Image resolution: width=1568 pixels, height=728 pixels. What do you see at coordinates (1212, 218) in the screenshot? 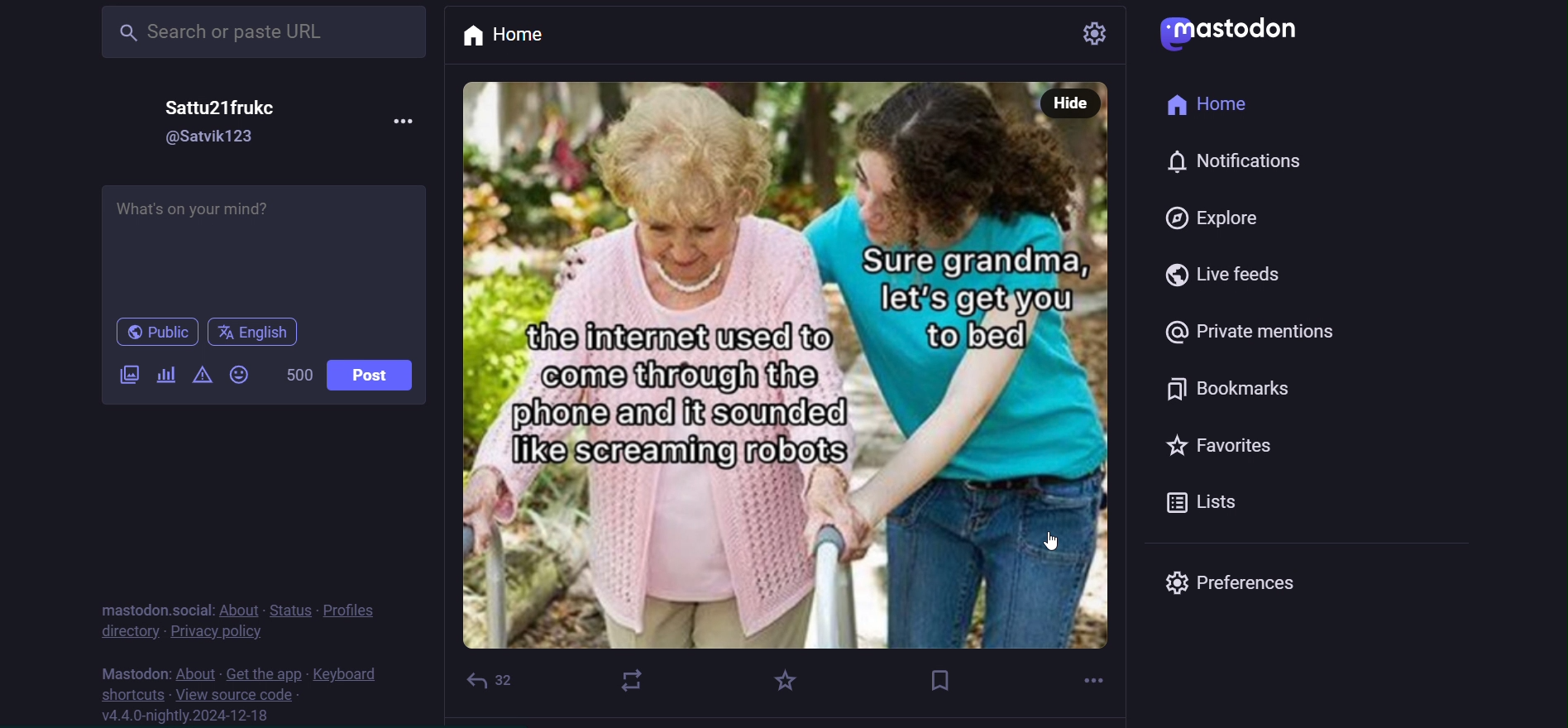
I see `explore` at bounding box center [1212, 218].